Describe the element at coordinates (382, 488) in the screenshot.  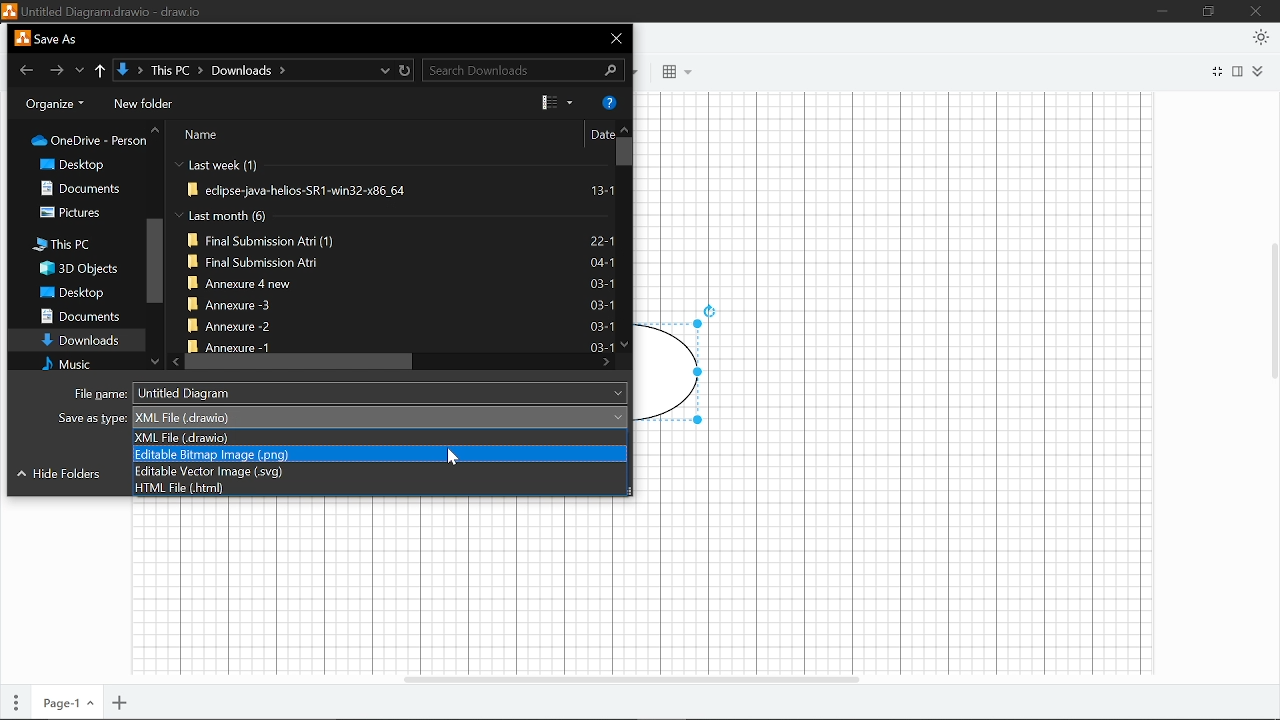
I see `Save as HTML file` at that location.